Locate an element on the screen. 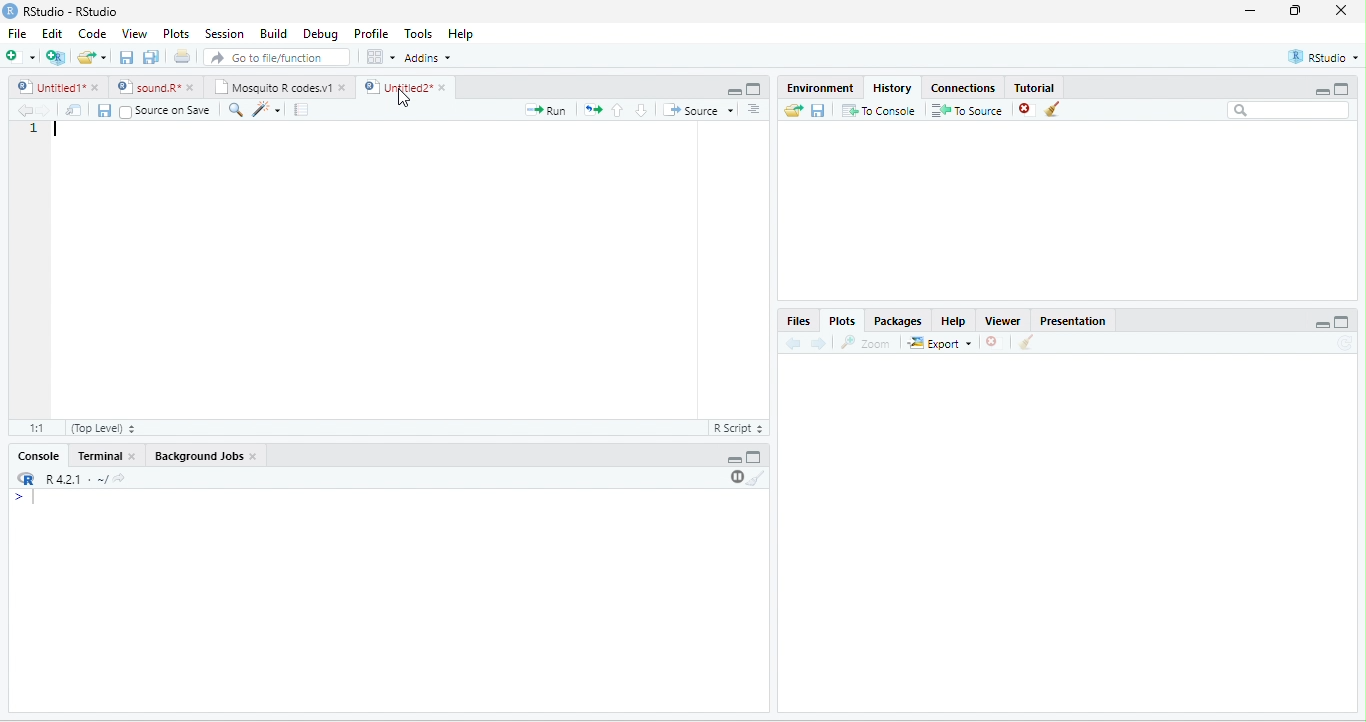 Image resolution: width=1366 pixels, height=722 pixels. search bar is located at coordinates (1289, 109).